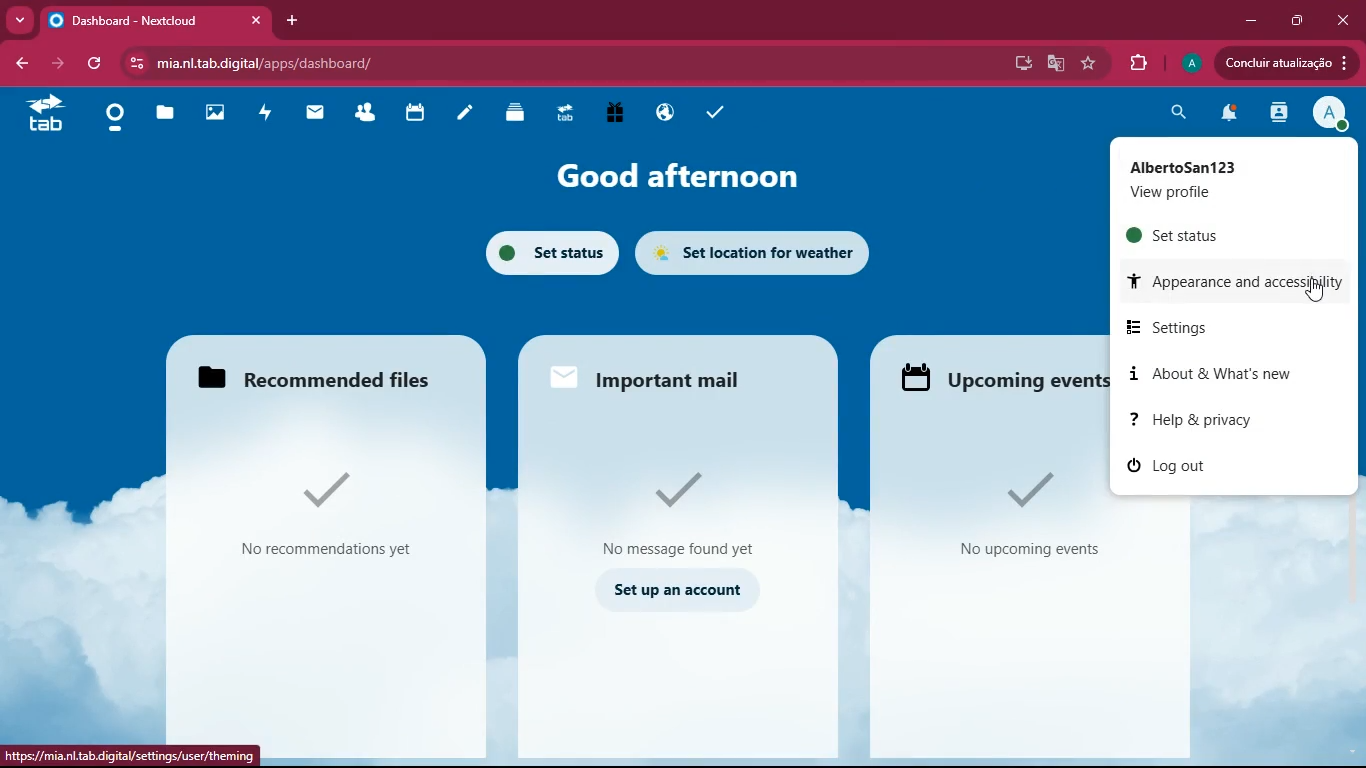 The width and height of the screenshot is (1366, 768). I want to click on mail, so click(322, 115).